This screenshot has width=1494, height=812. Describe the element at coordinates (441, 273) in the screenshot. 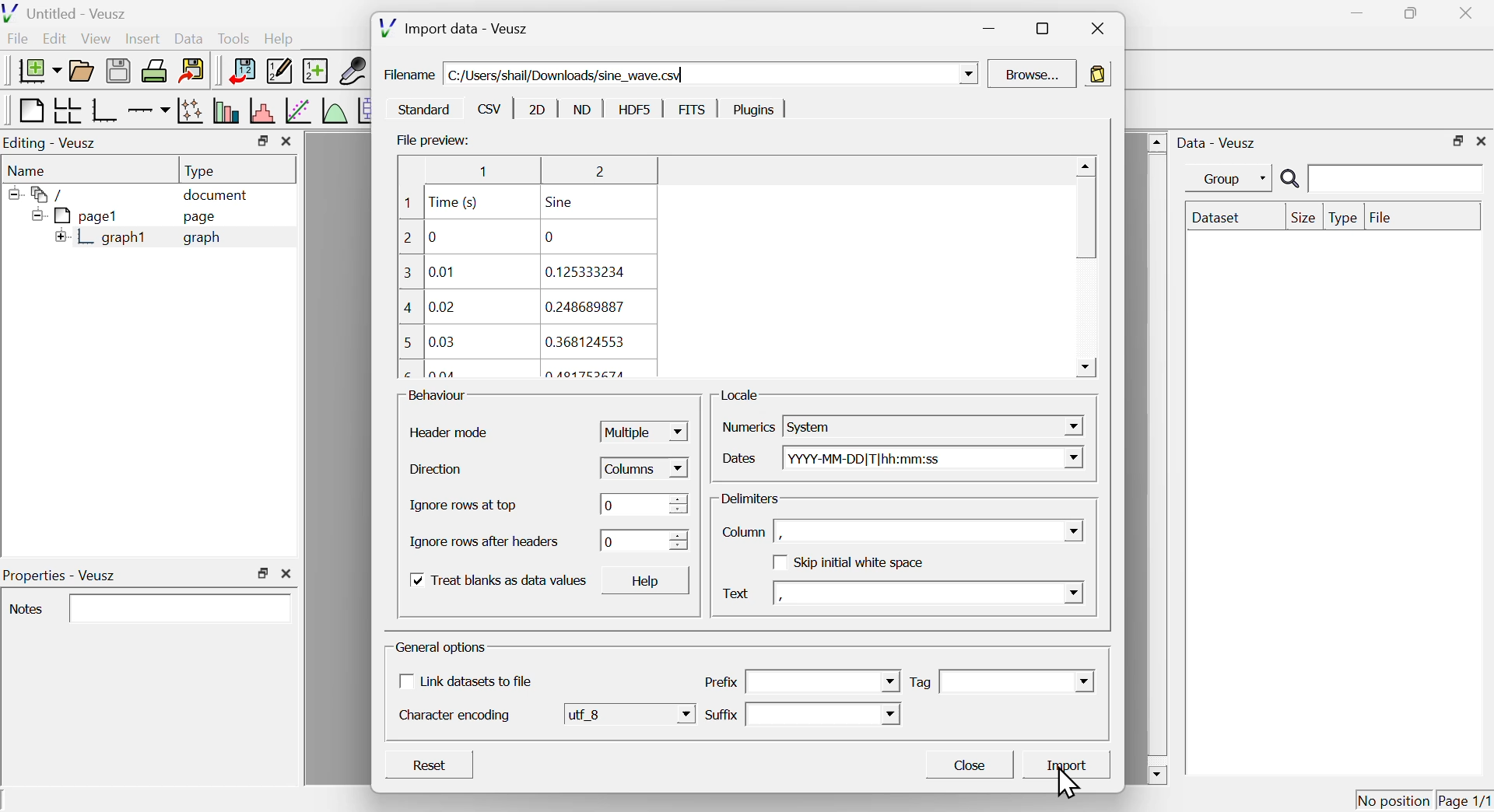

I see `0.01` at that location.